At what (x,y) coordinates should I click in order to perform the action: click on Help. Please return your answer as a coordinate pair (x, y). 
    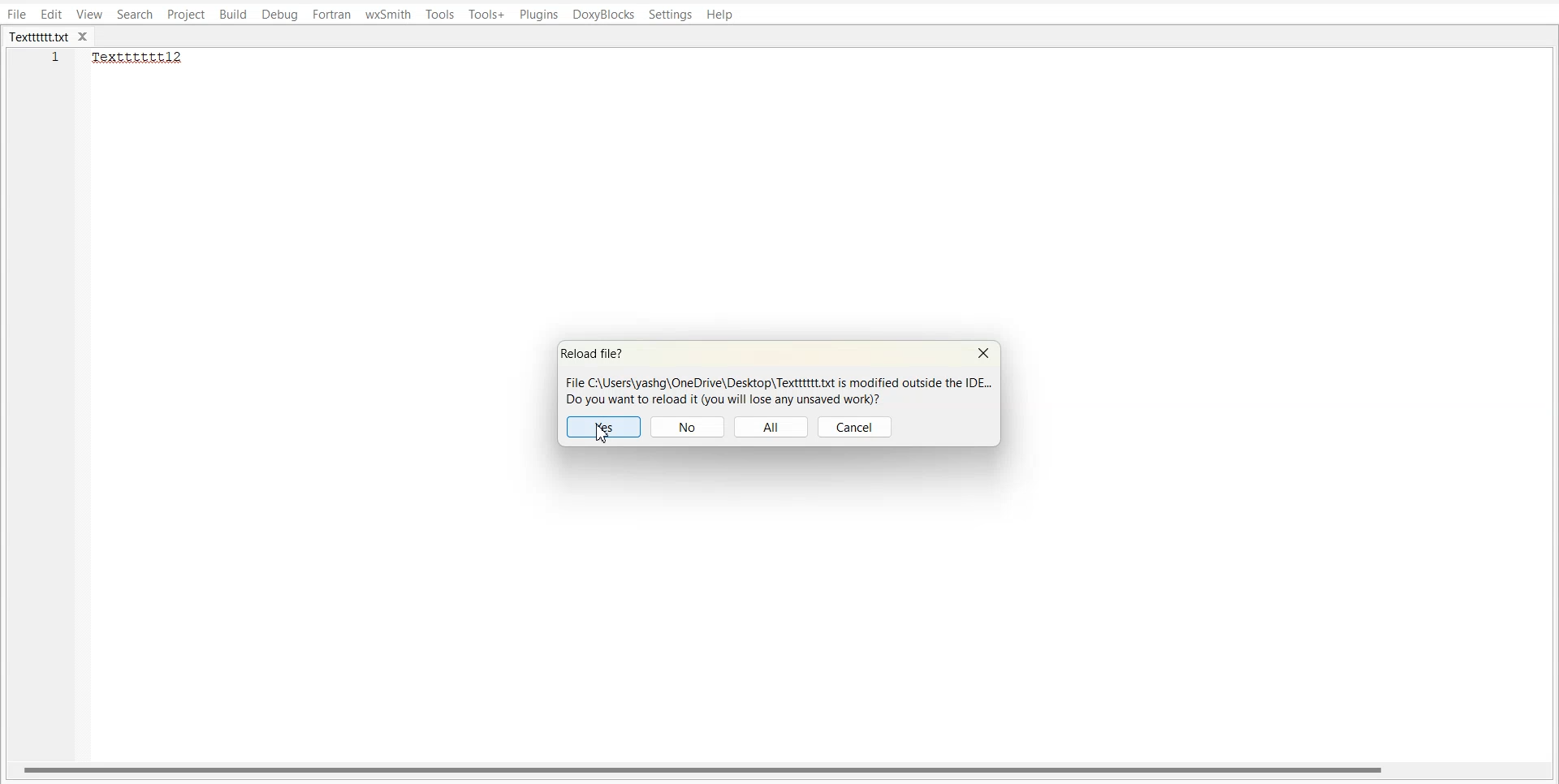
    Looking at the image, I should click on (719, 15).